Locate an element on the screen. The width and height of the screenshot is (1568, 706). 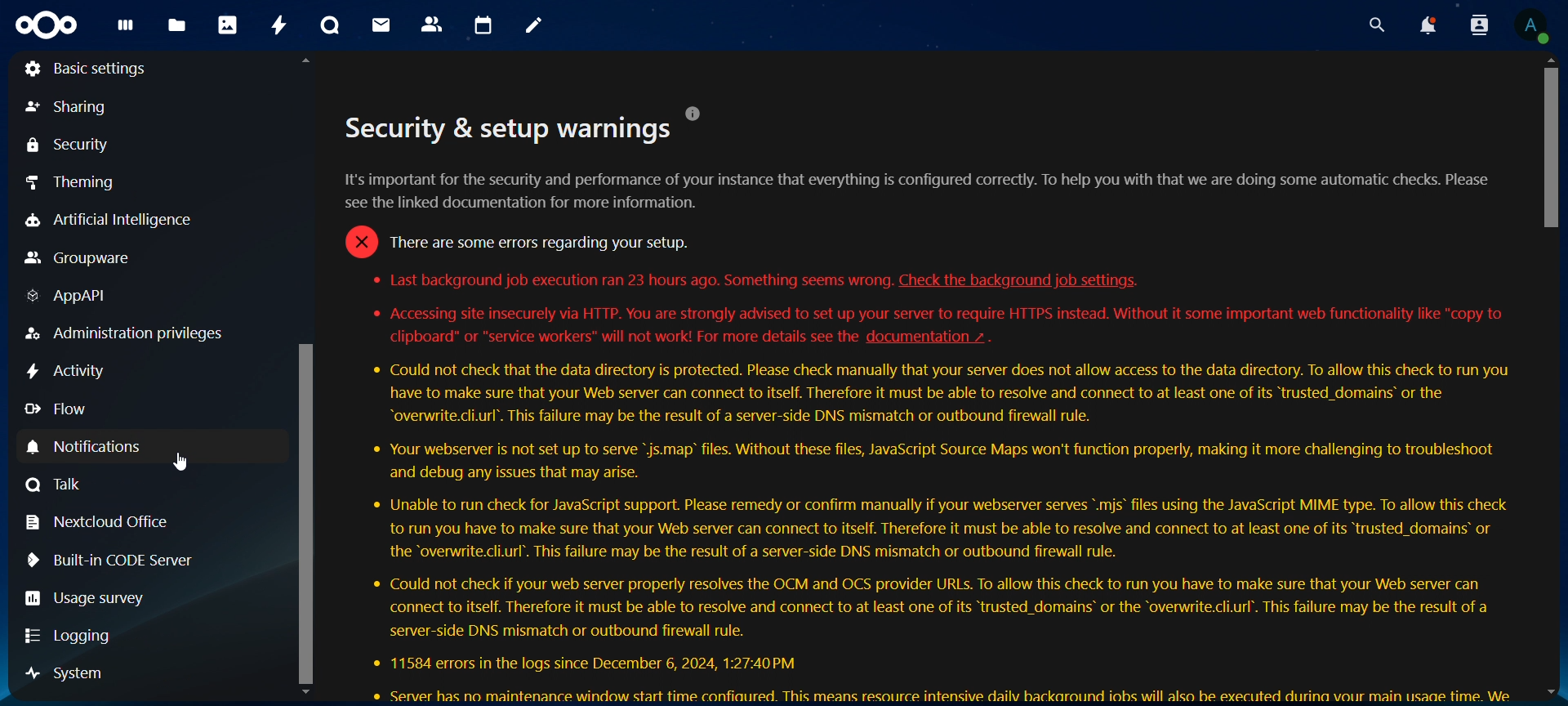
system is located at coordinates (68, 672).